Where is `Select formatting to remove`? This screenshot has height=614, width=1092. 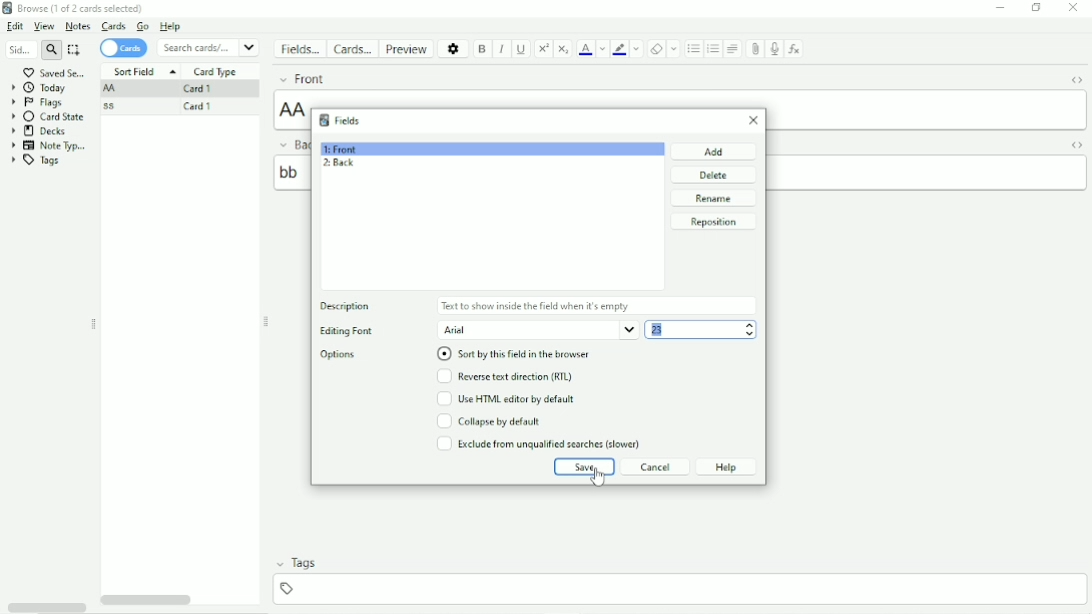
Select formatting to remove is located at coordinates (674, 49).